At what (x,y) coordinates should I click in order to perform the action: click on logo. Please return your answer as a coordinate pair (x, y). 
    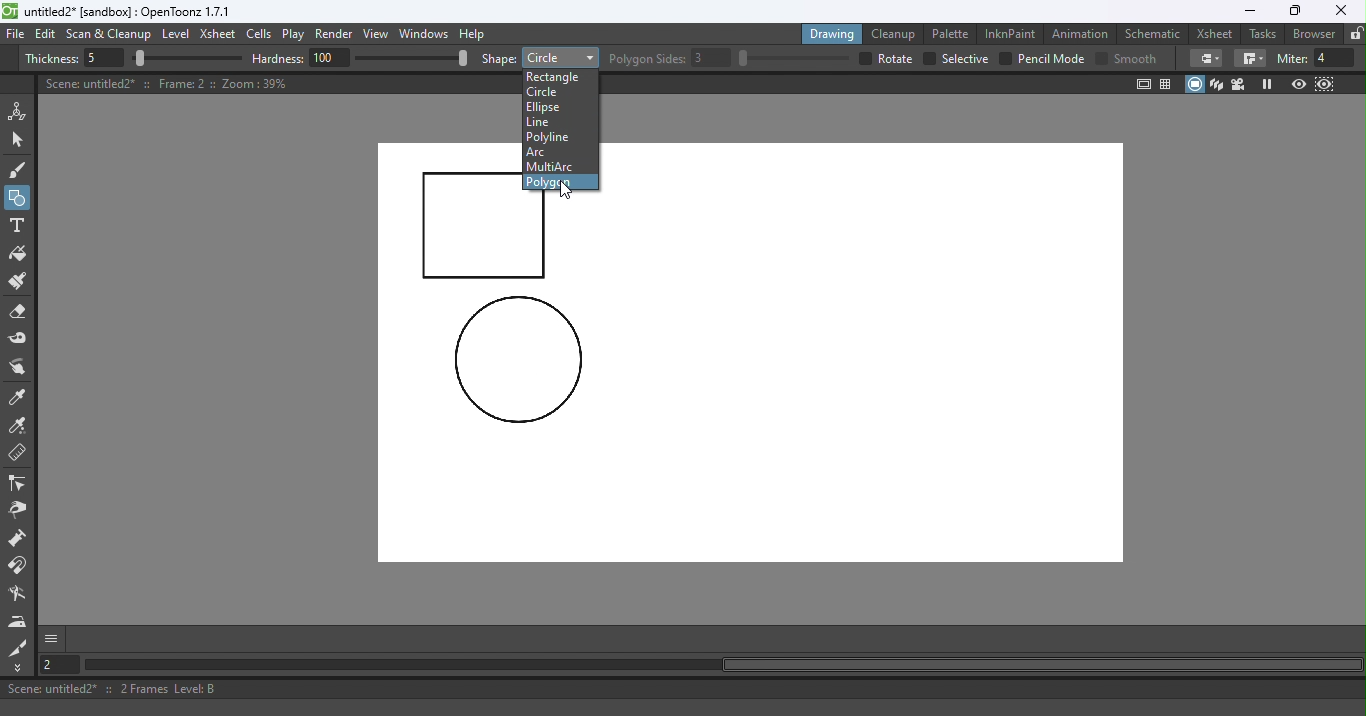
    Looking at the image, I should click on (10, 11).